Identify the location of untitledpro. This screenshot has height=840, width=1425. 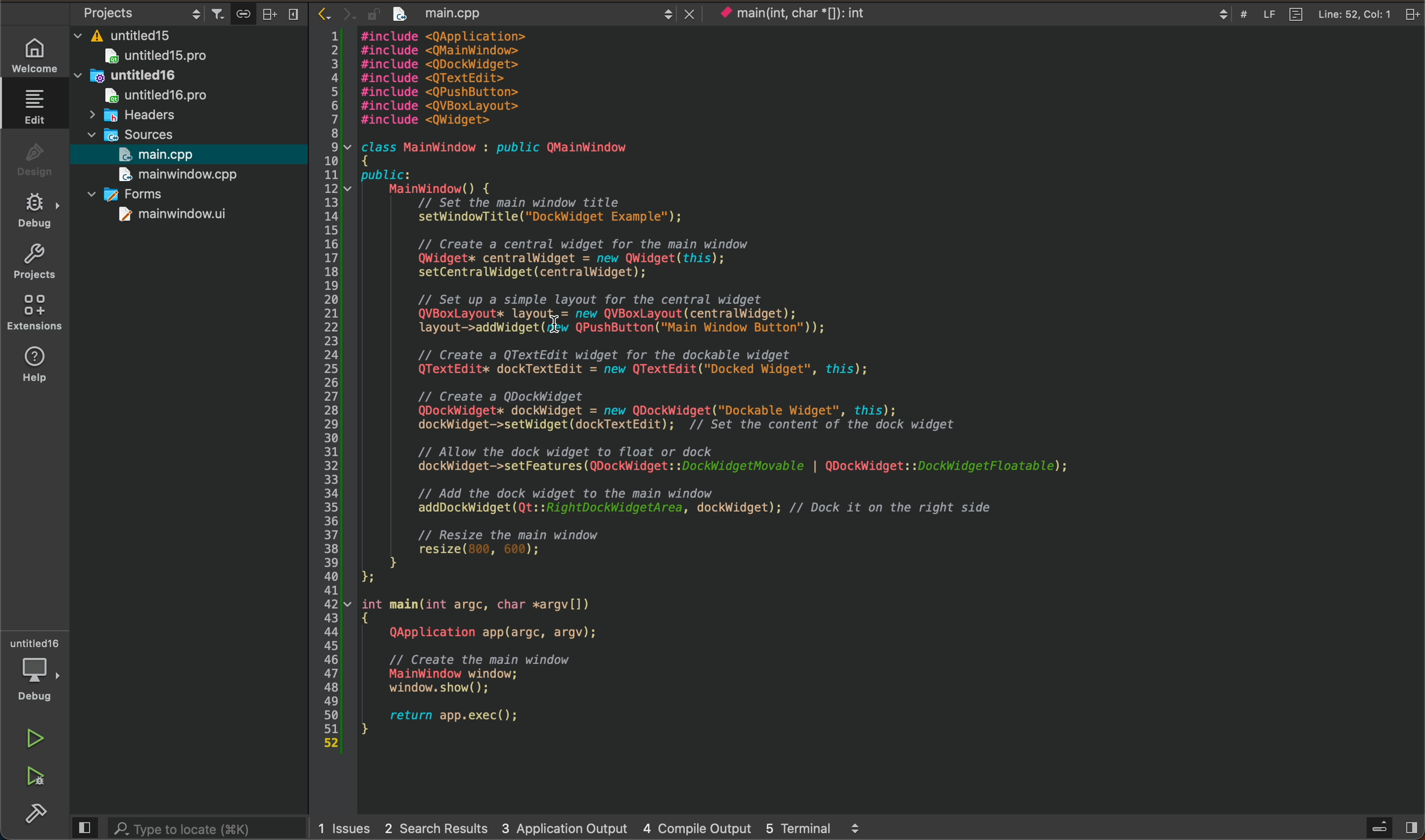
(161, 96).